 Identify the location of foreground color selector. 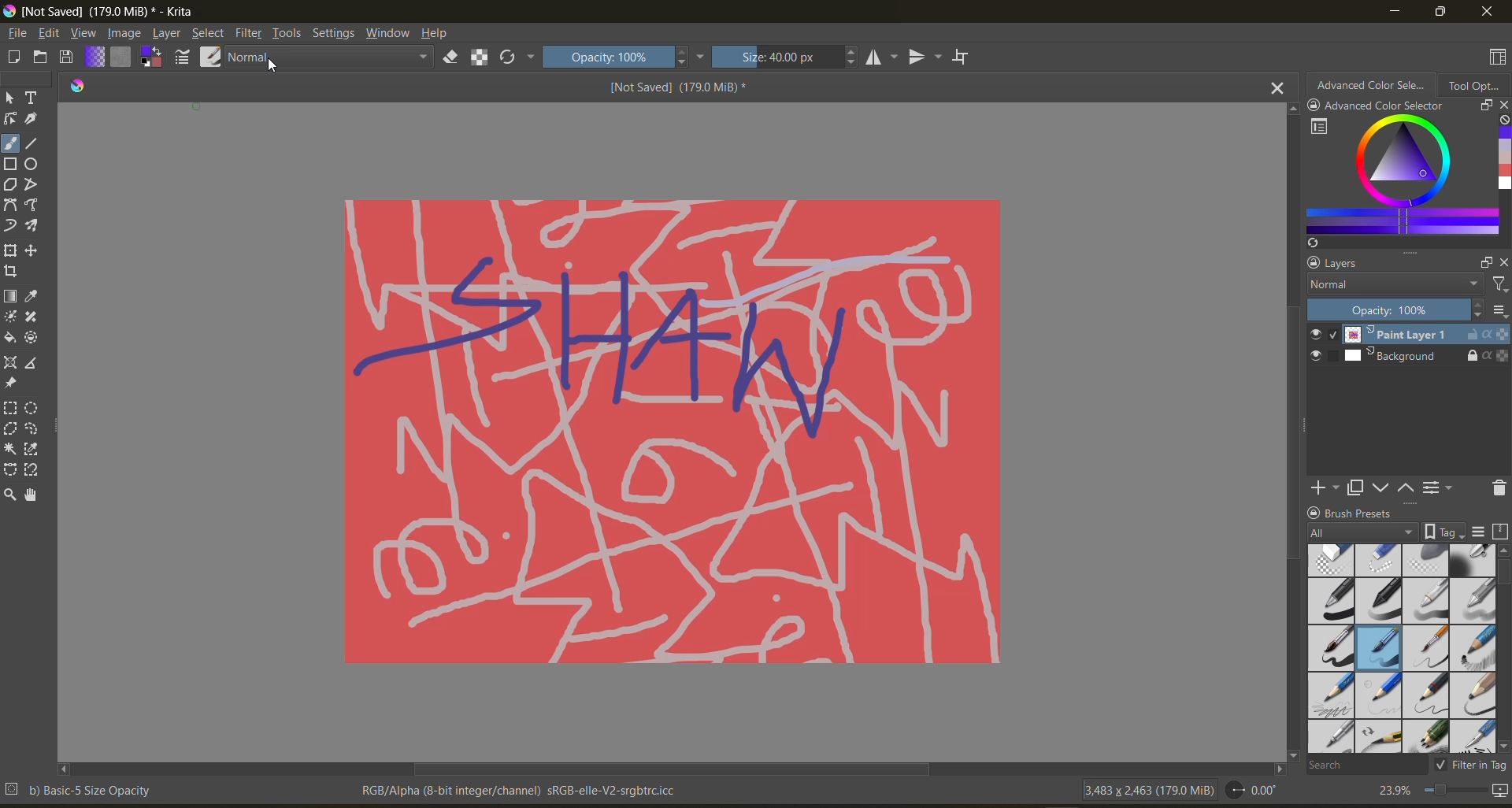
(151, 56).